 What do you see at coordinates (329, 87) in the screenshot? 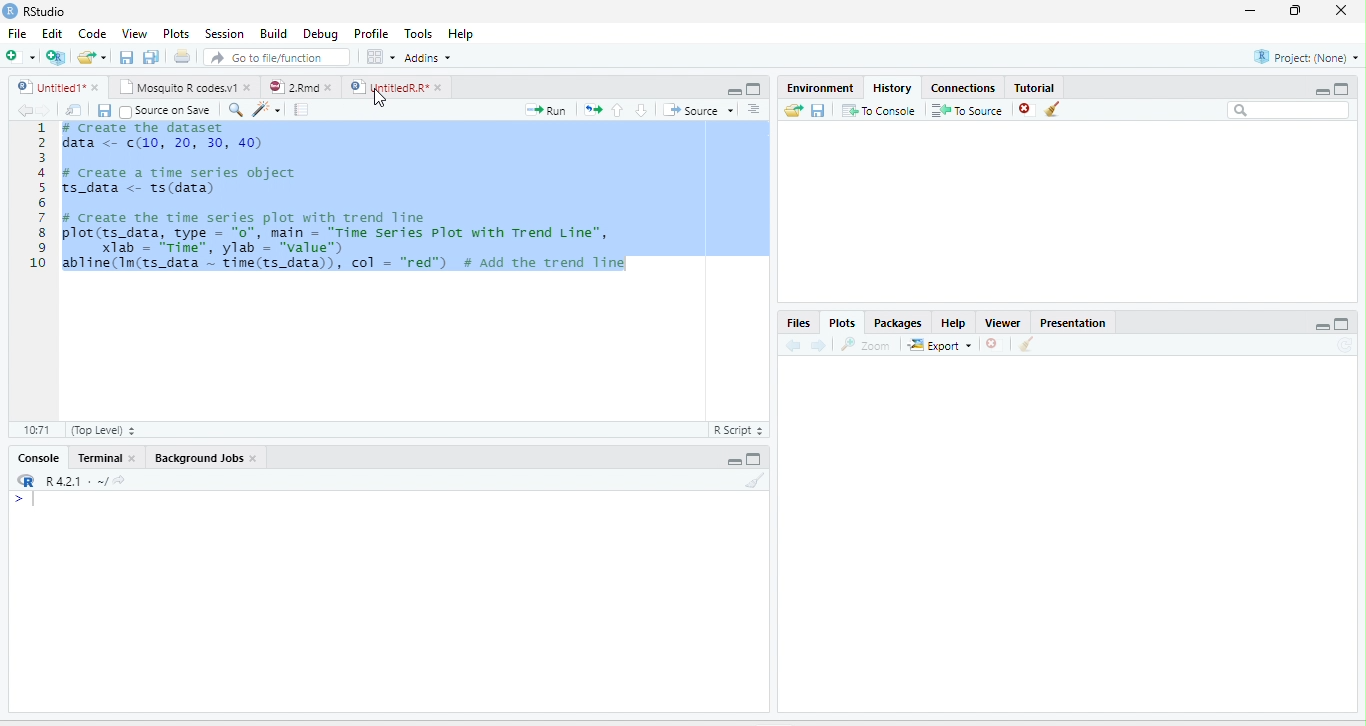
I see `close` at bounding box center [329, 87].